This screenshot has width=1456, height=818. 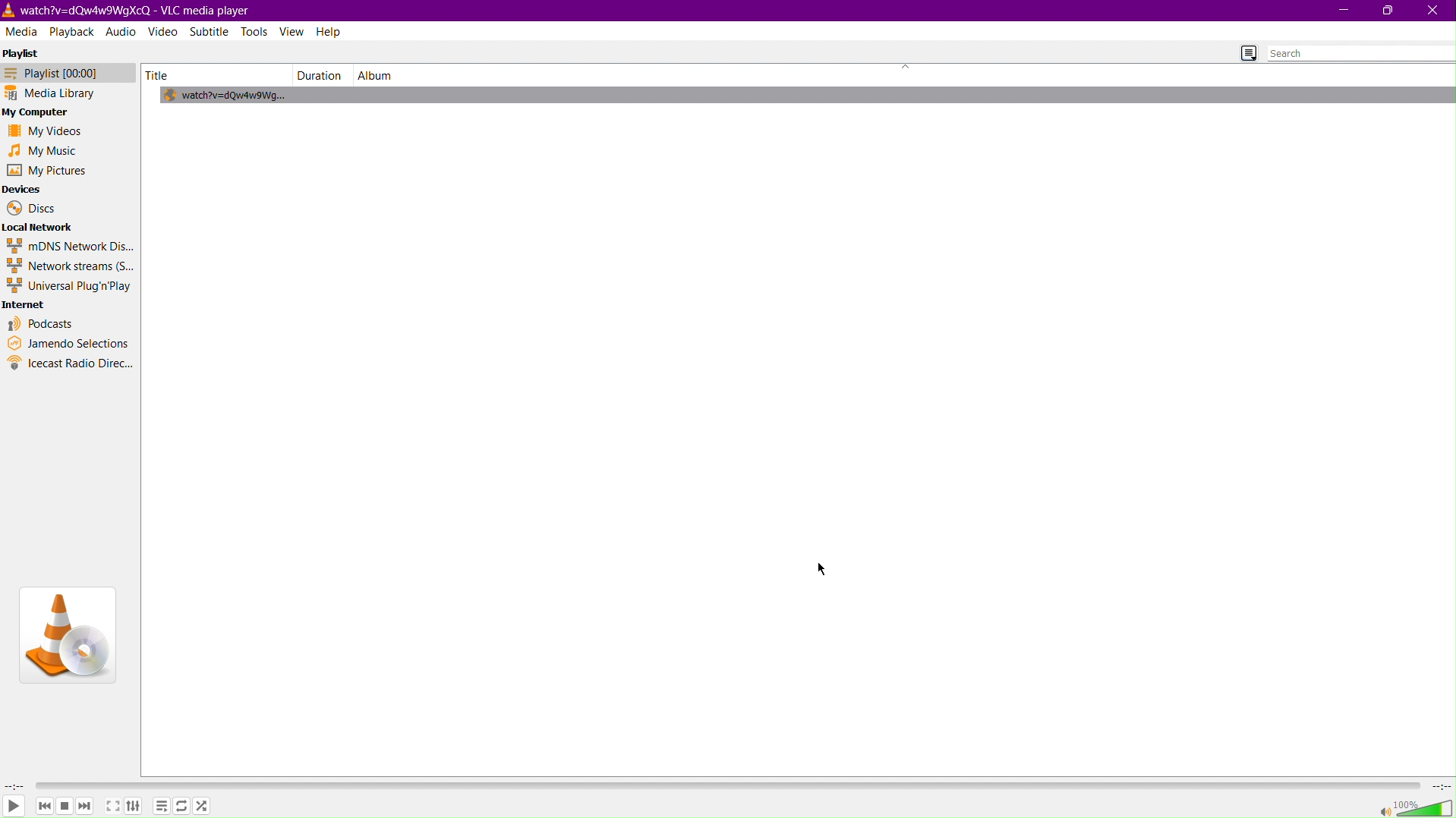 What do you see at coordinates (41, 112) in the screenshot?
I see `My Computer` at bounding box center [41, 112].